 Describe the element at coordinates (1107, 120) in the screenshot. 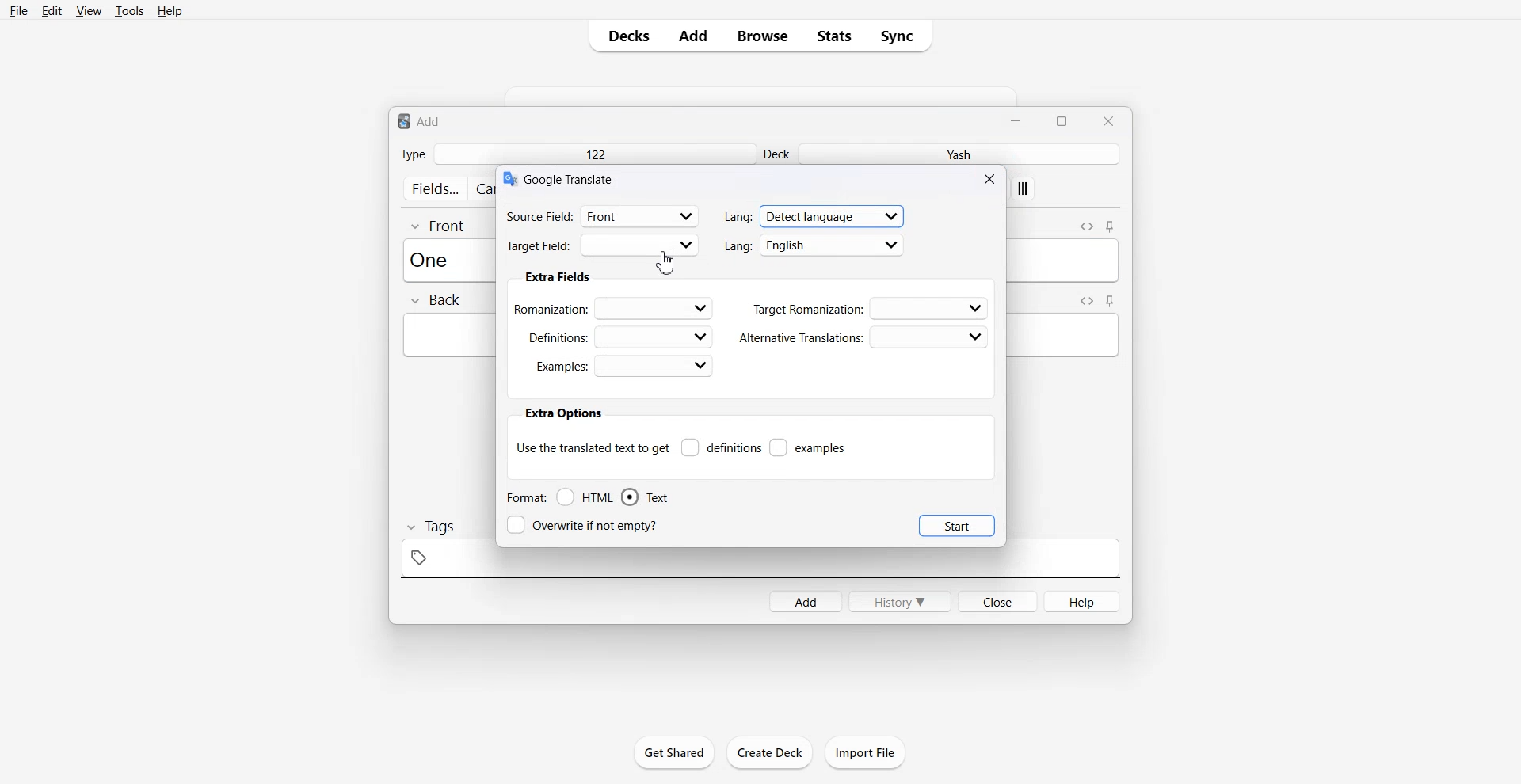

I see `Close` at that location.